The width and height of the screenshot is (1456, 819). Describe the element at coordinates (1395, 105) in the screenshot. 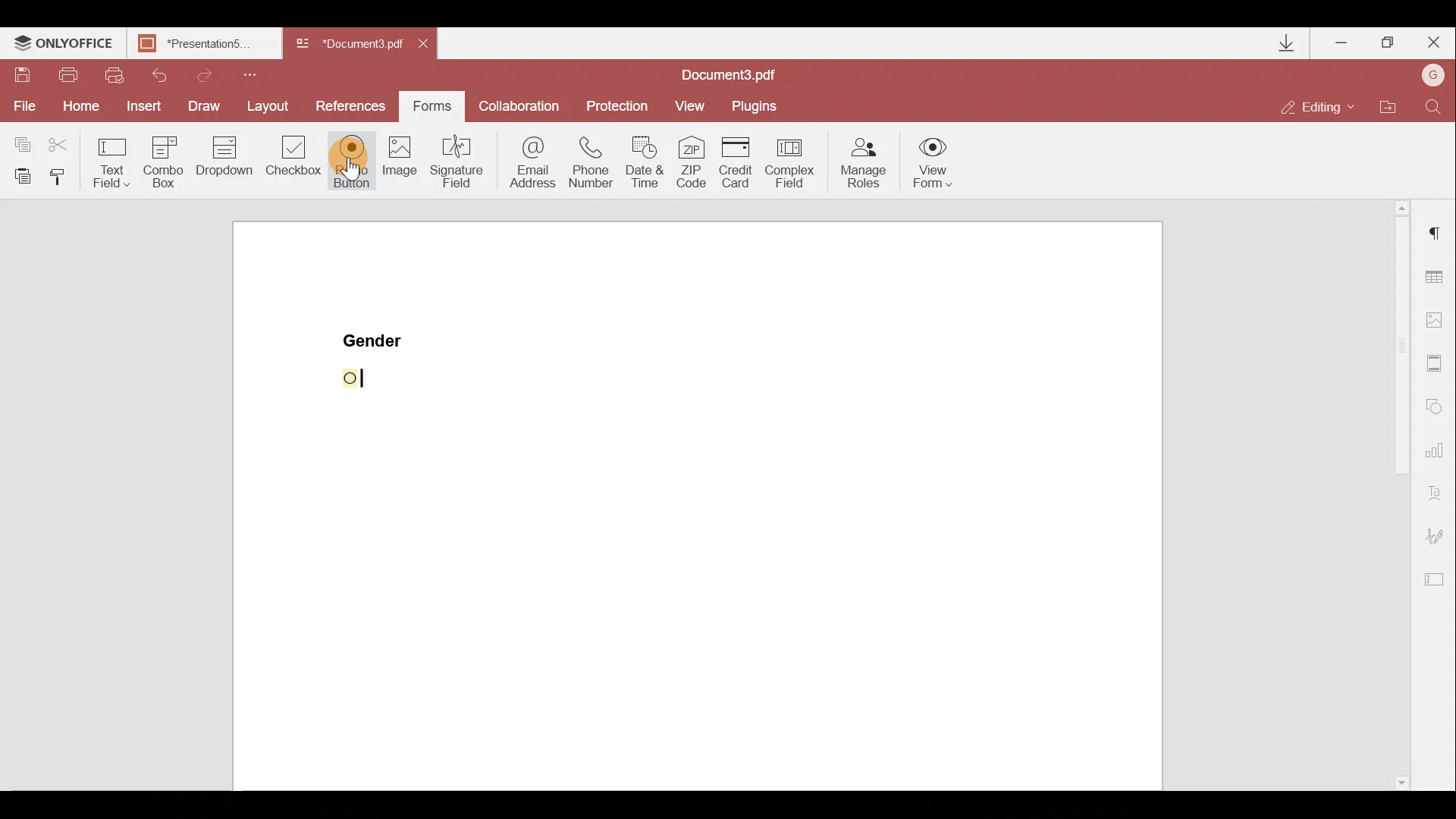

I see `Open file location` at that location.